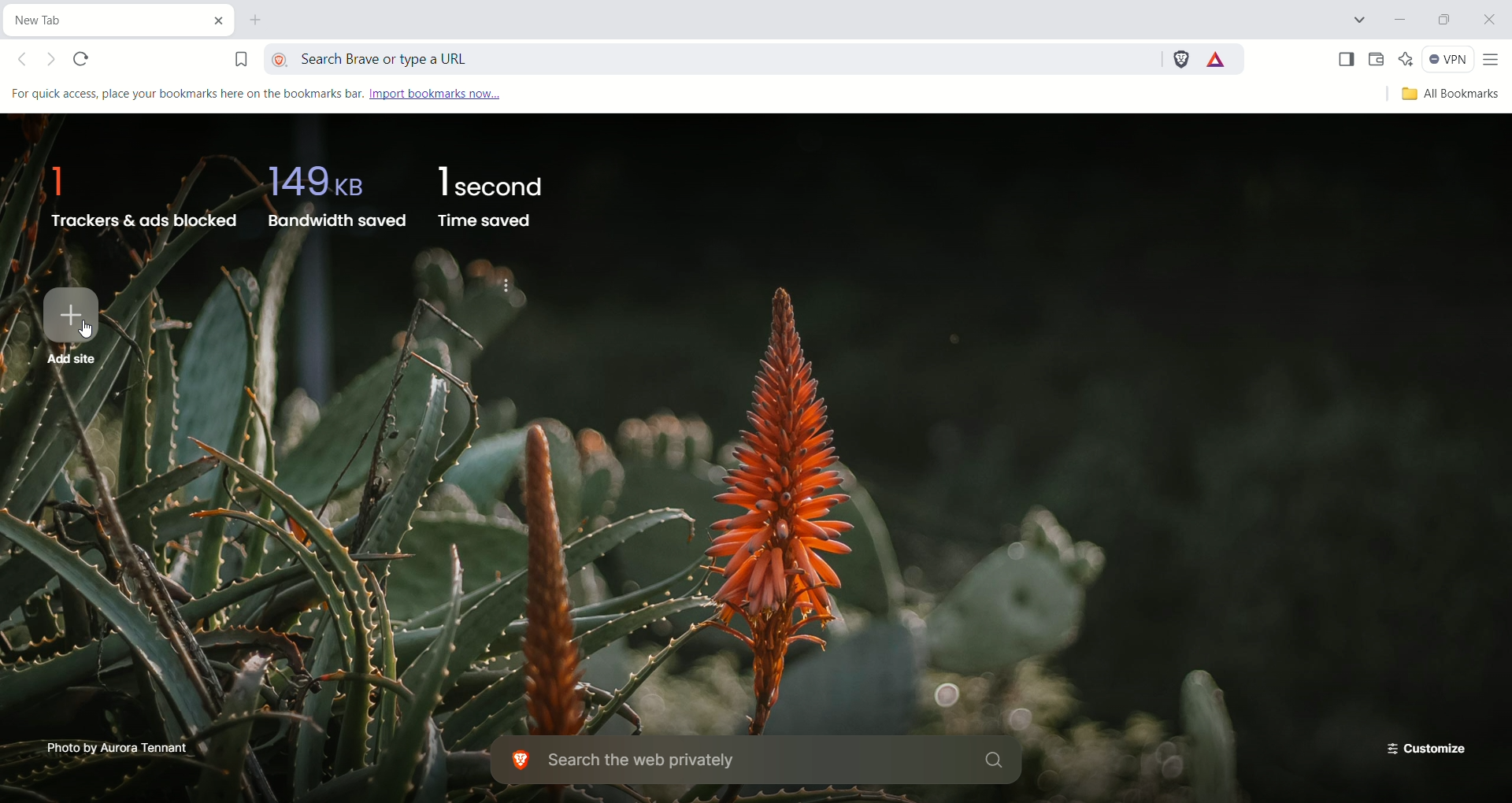 The height and width of the screenshot is (803, 1512). I want to click on Click to go back,  hold to see history, so click(28, 61).